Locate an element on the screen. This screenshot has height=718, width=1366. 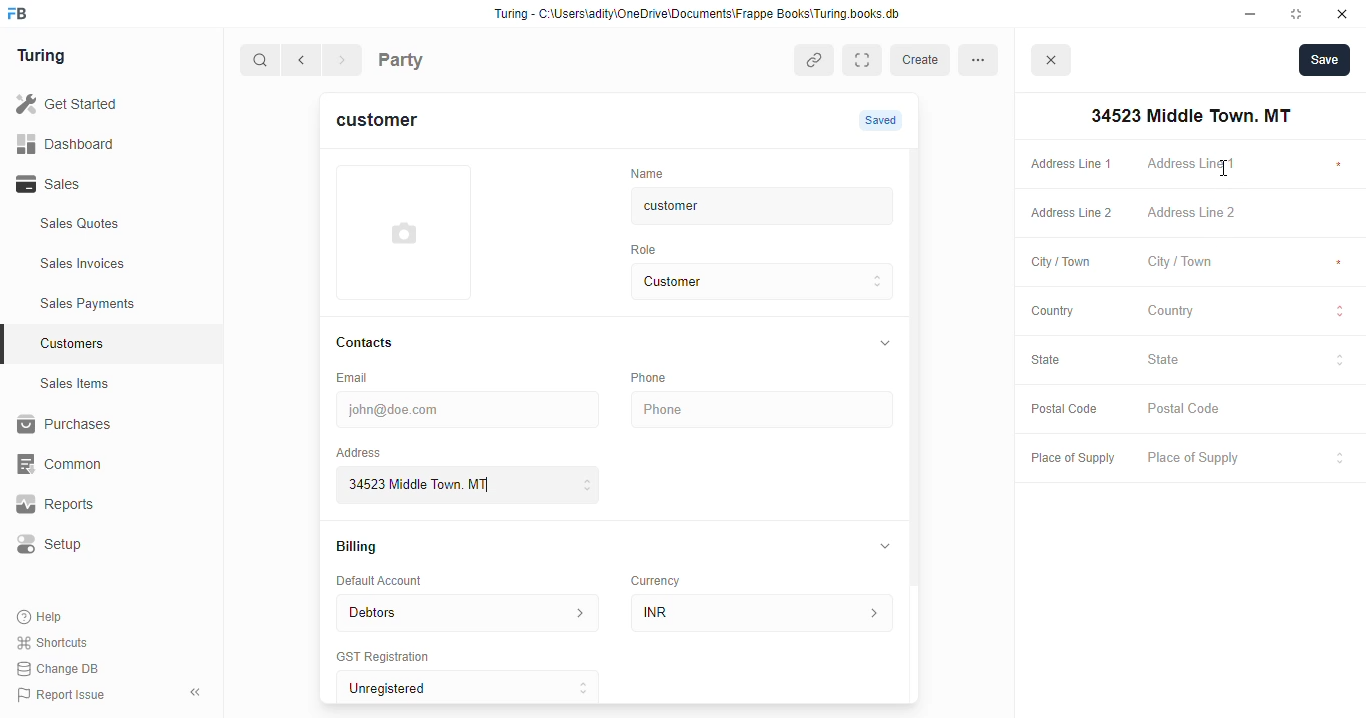
Role is located at coordinates (650, 249).